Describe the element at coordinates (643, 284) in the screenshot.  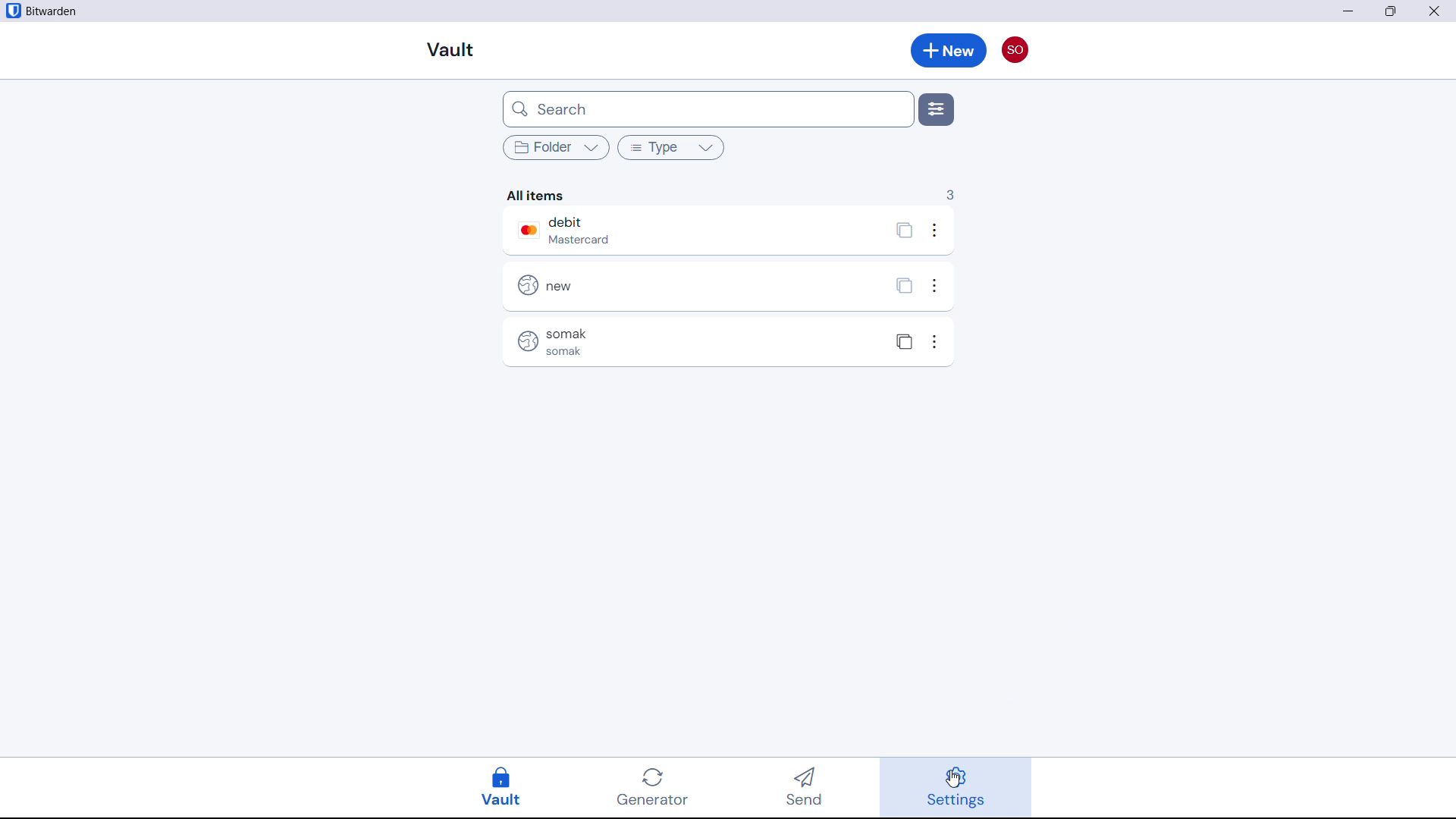
I see `new` at that location.